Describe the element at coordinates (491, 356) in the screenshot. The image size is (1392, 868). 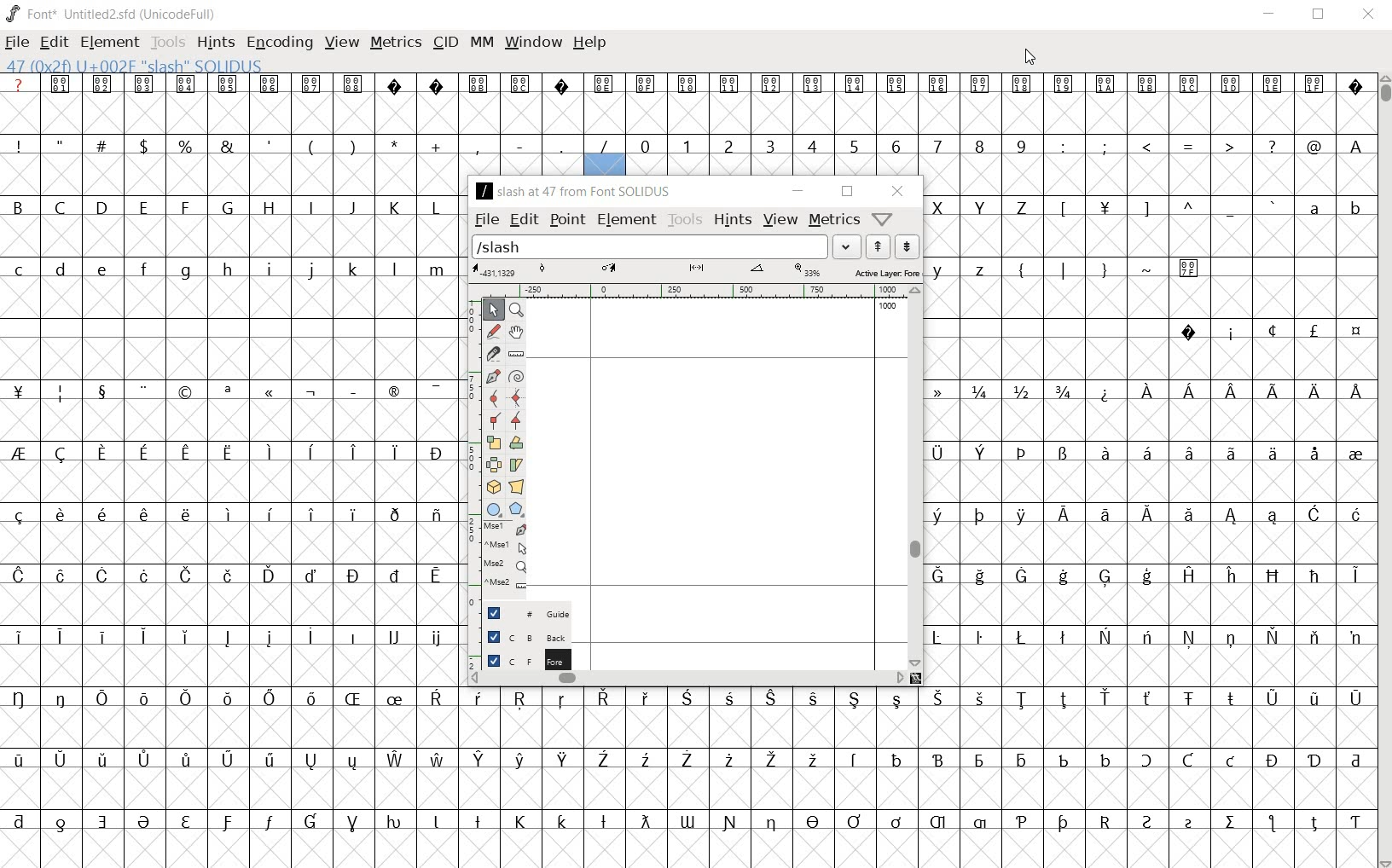
I see `cut splines in two` at that location.